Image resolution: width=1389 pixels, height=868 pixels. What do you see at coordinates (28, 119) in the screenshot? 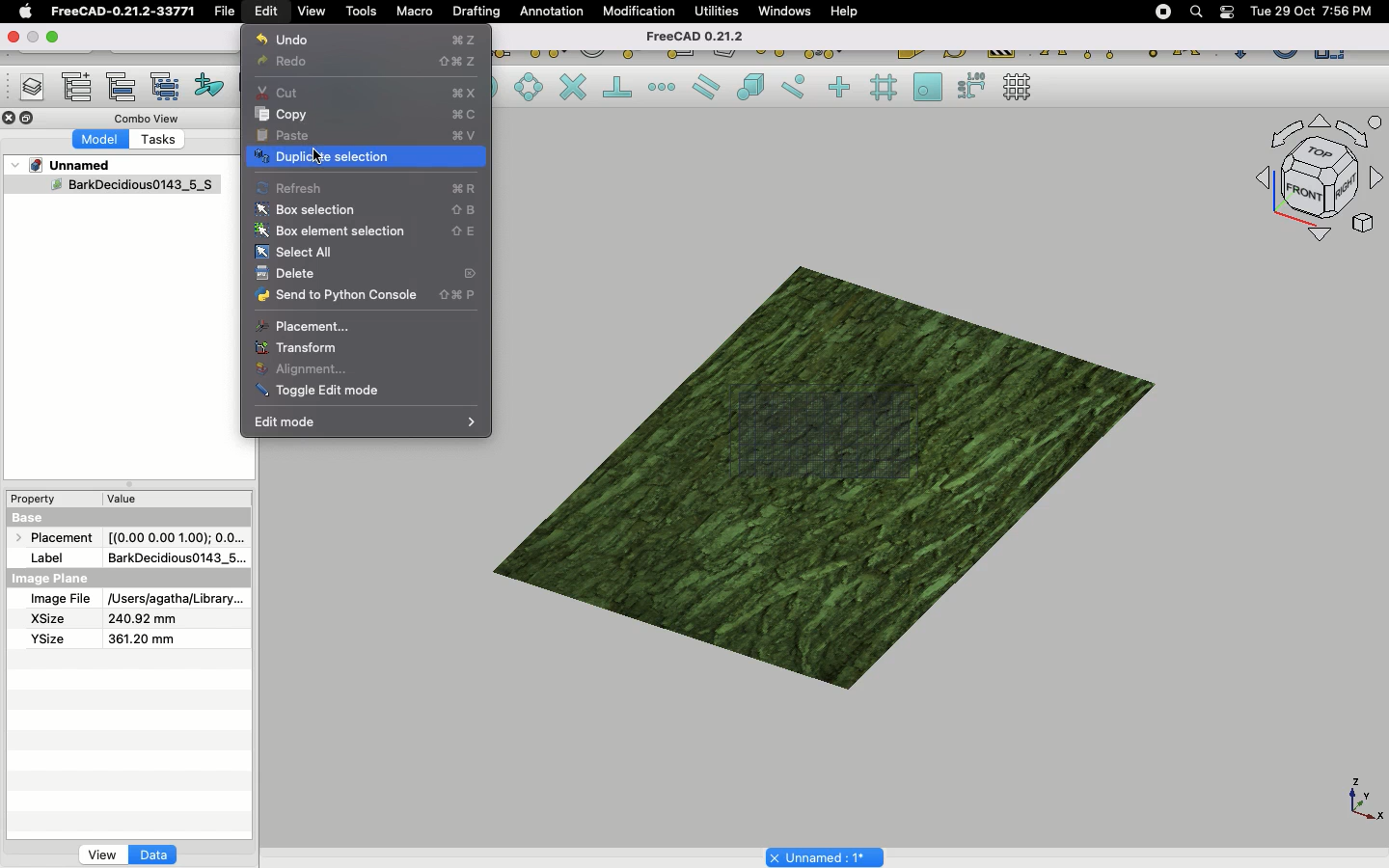
I see `Collapse` at bounding box center [28, 119].